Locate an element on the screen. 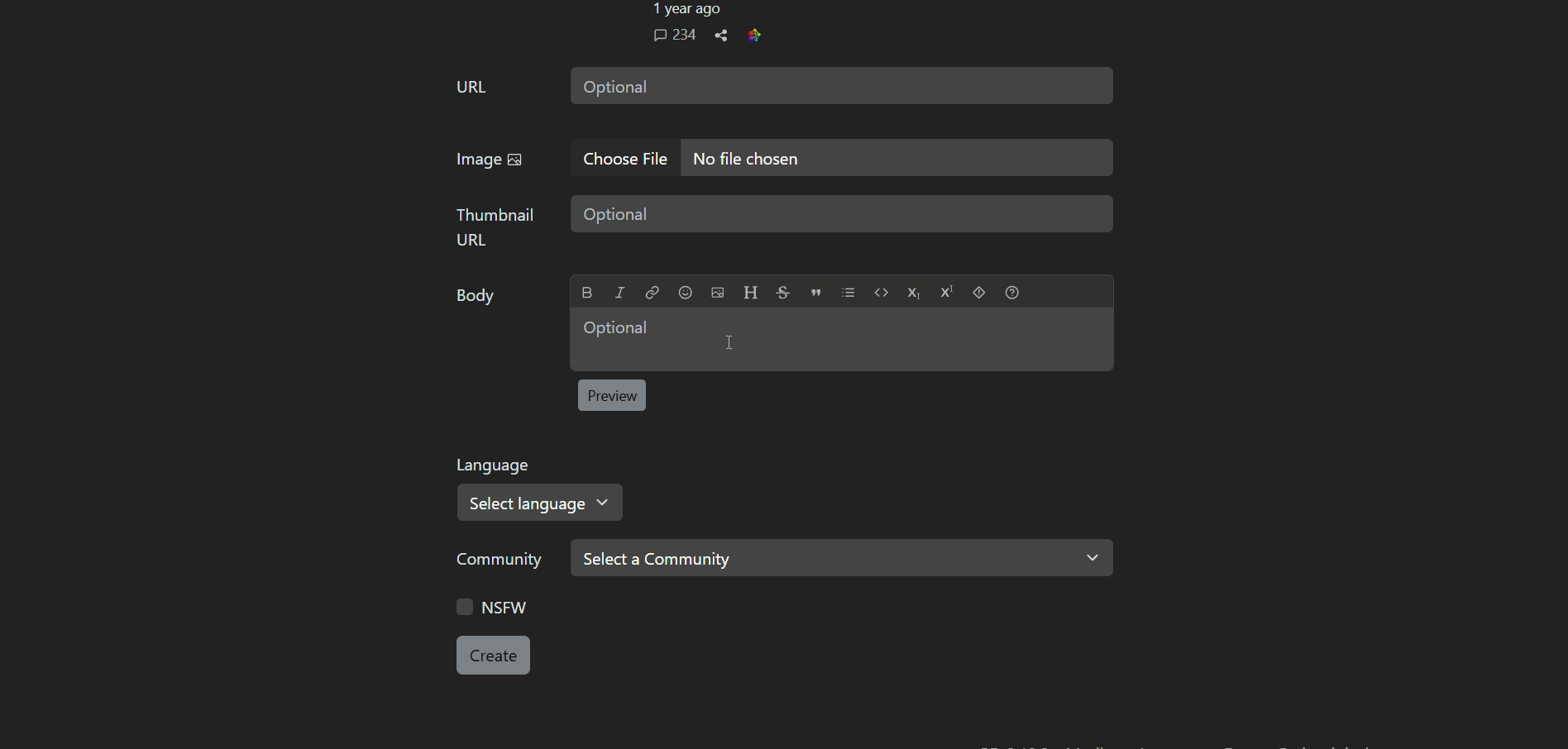 The height and width of the screenshot is (749, 1568). List is located at coordinates (849, 293).